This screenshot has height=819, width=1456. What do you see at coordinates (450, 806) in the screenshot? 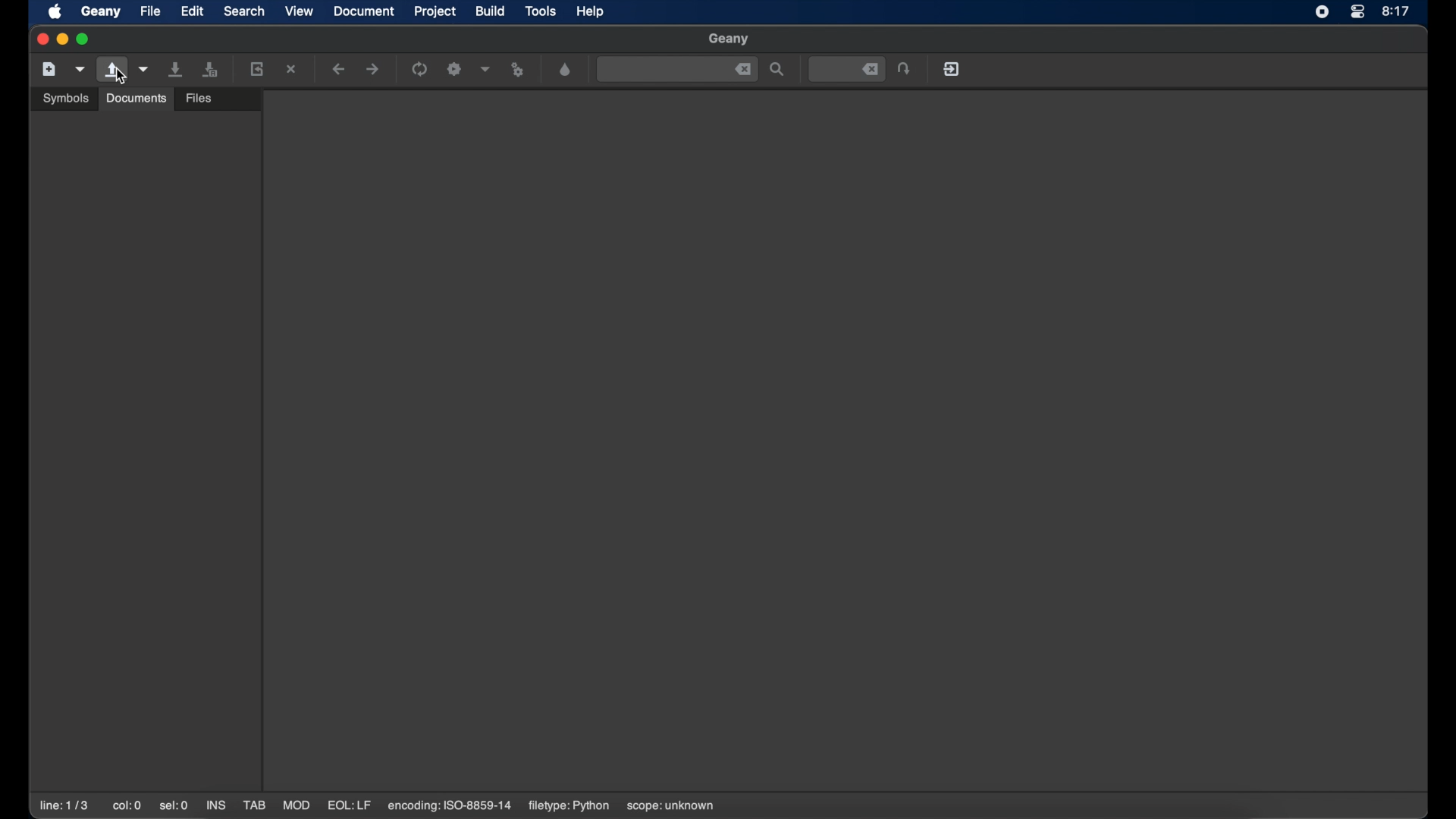
I see `encoding` at bounding box center [450, 806].